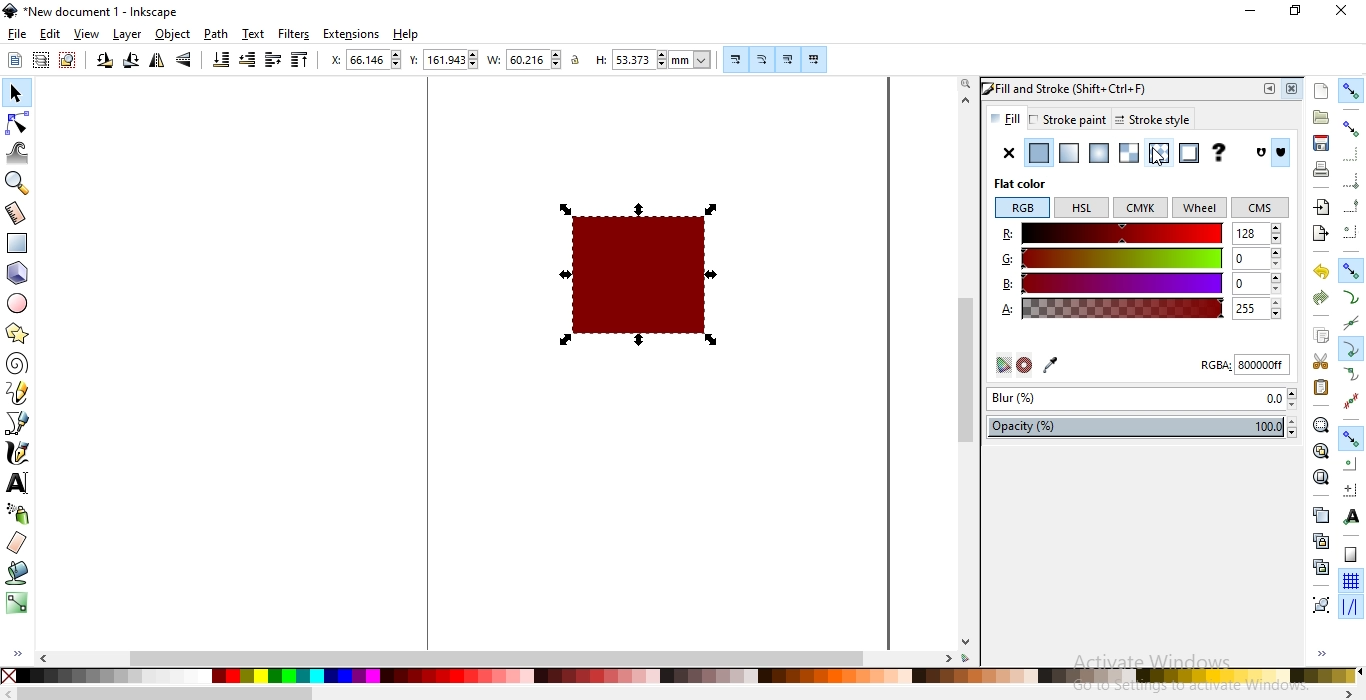  I want to click on deselect any selected objects or nodes, so click(66, 61).